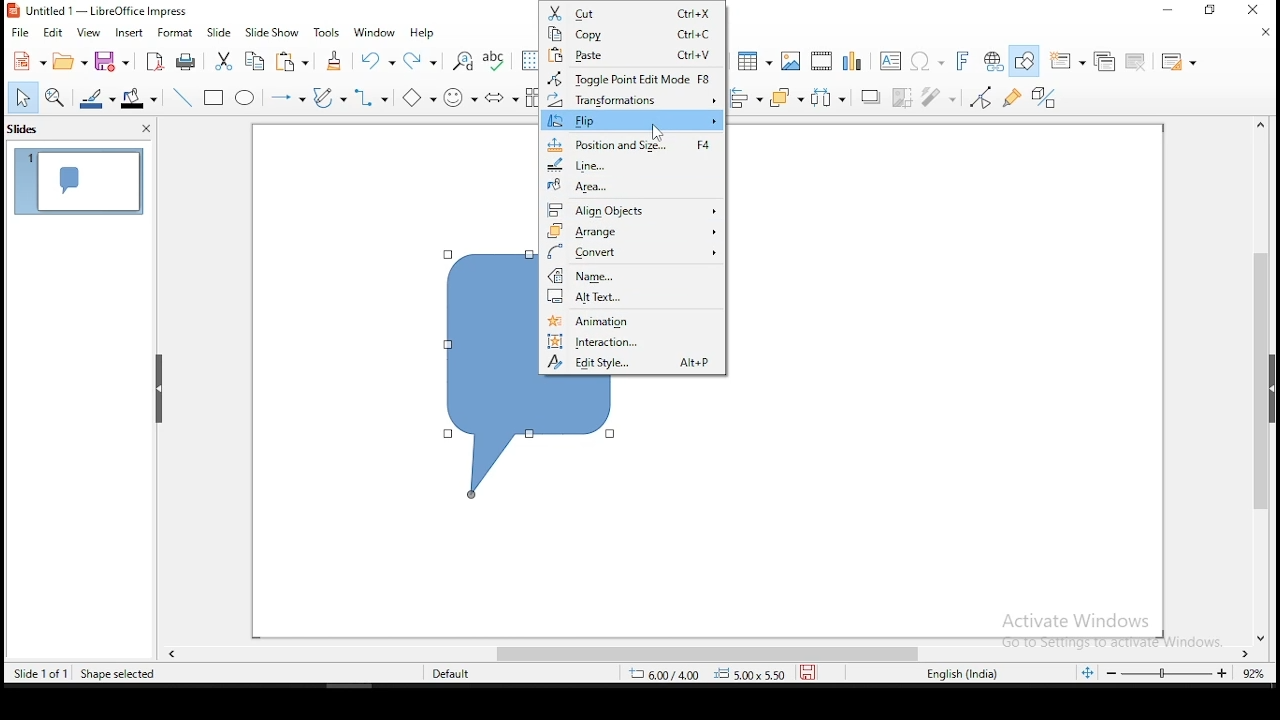 The width and height of the screenshot is (1280, 720). Describe the element at coordinates (854, 60) in the screenshot. I see `charts` at that location.